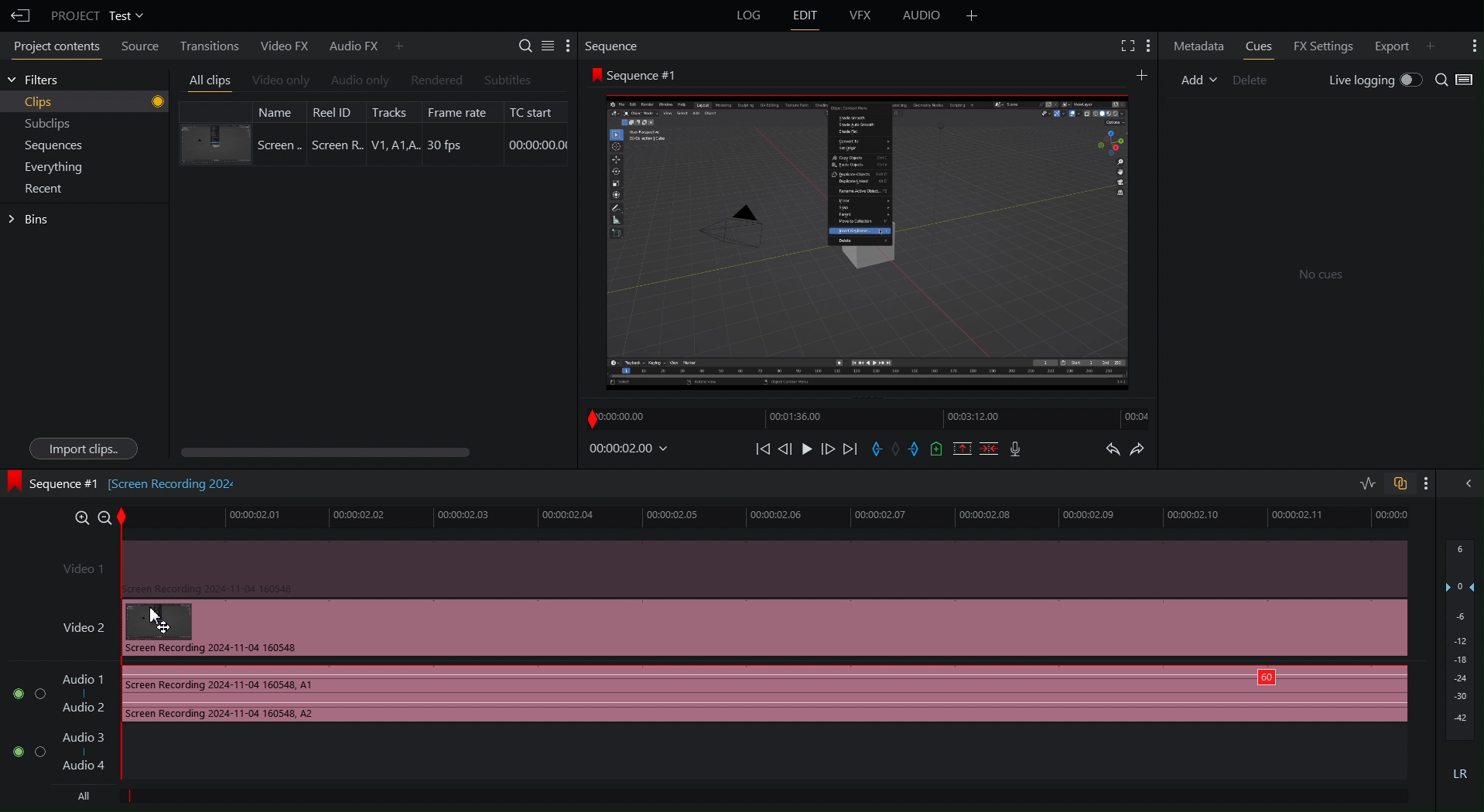 The image size is (1484, 812). Describe the element at coordinates (207, 78) in the screenshot. I see `All clips` at that location.